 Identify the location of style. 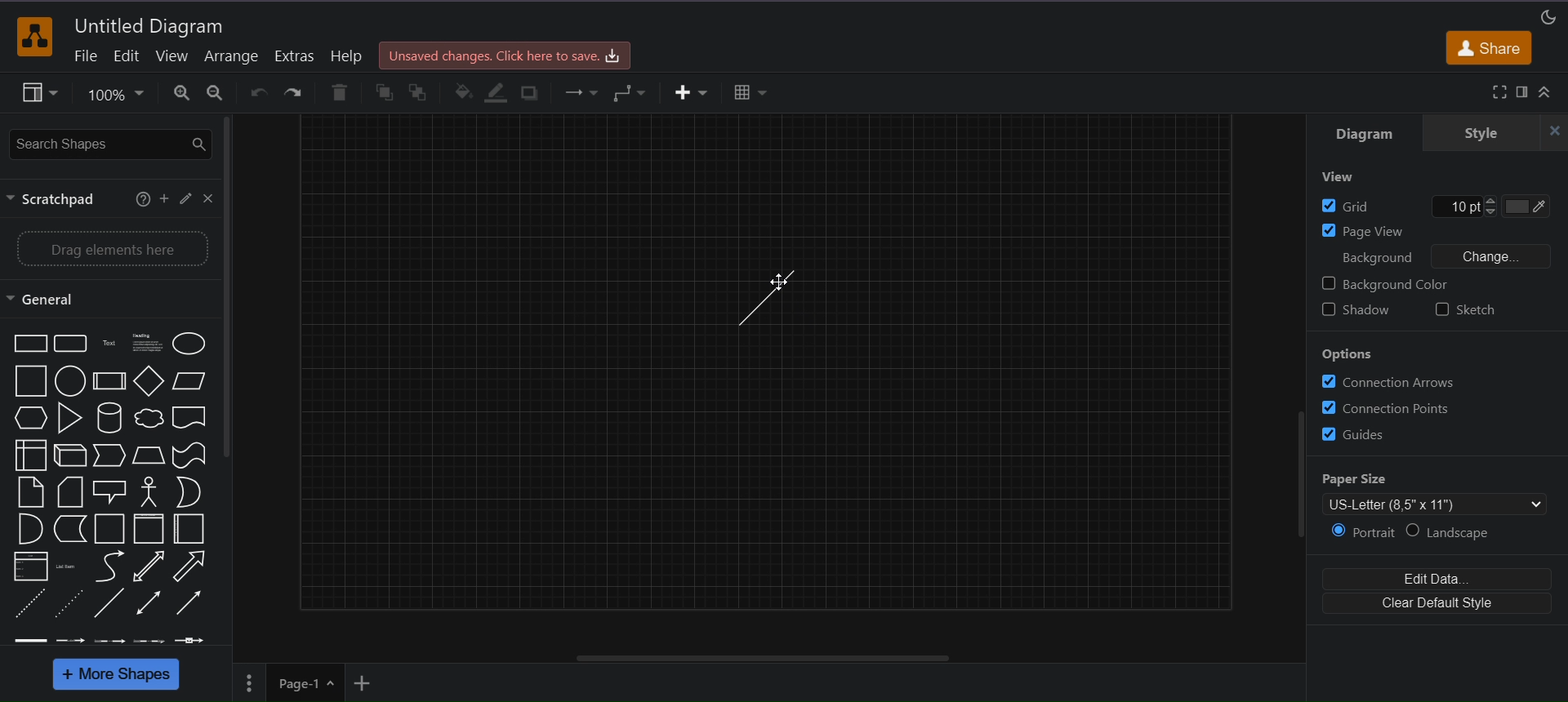
(1473, 134).